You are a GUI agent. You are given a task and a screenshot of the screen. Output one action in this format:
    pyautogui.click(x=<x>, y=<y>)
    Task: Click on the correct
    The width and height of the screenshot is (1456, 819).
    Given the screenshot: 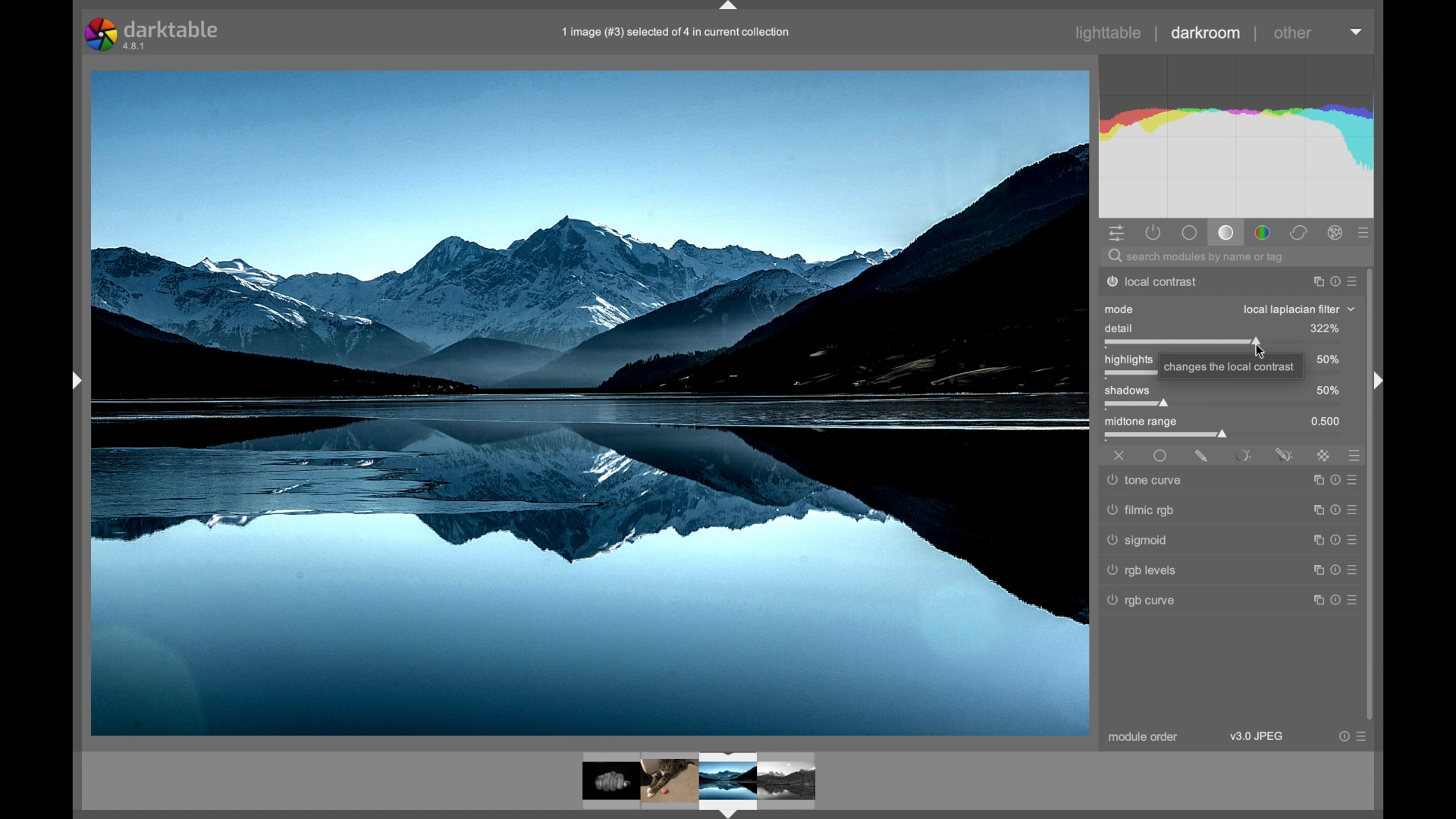 What is the action you would take?
    pyautogui.click(x=1298, y=233)
    